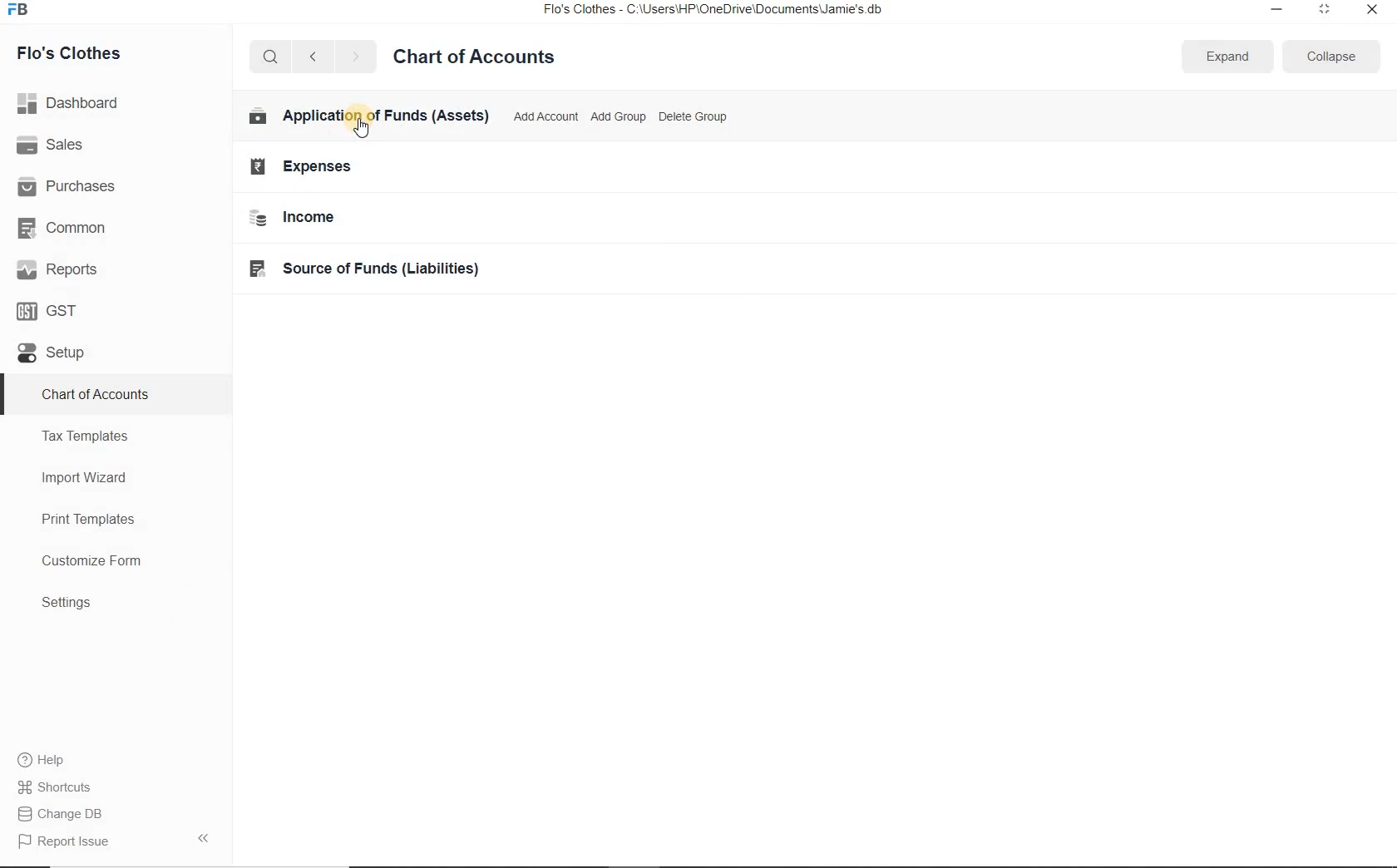 This screenshot has width=1397, height=868. I want to click on Shortcuts, so click(55, 784).